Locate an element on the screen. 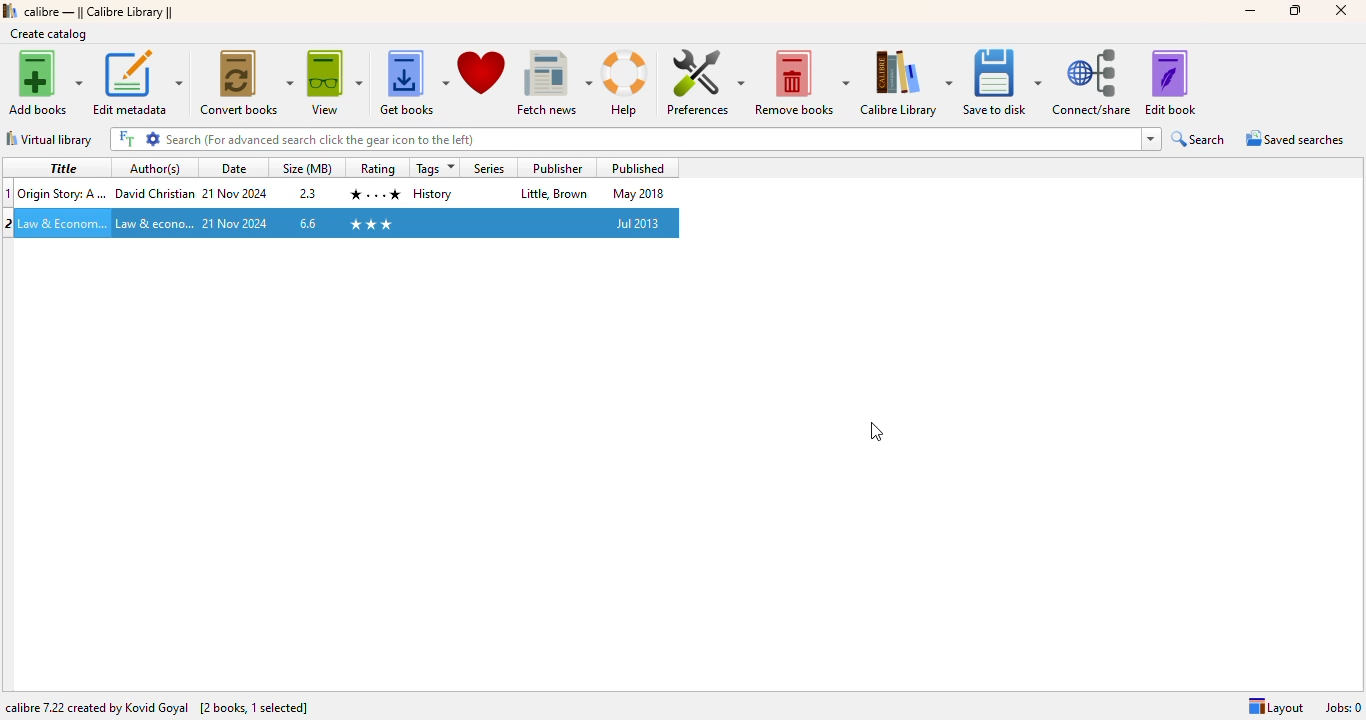  published date is located at coordinates (638, 194).